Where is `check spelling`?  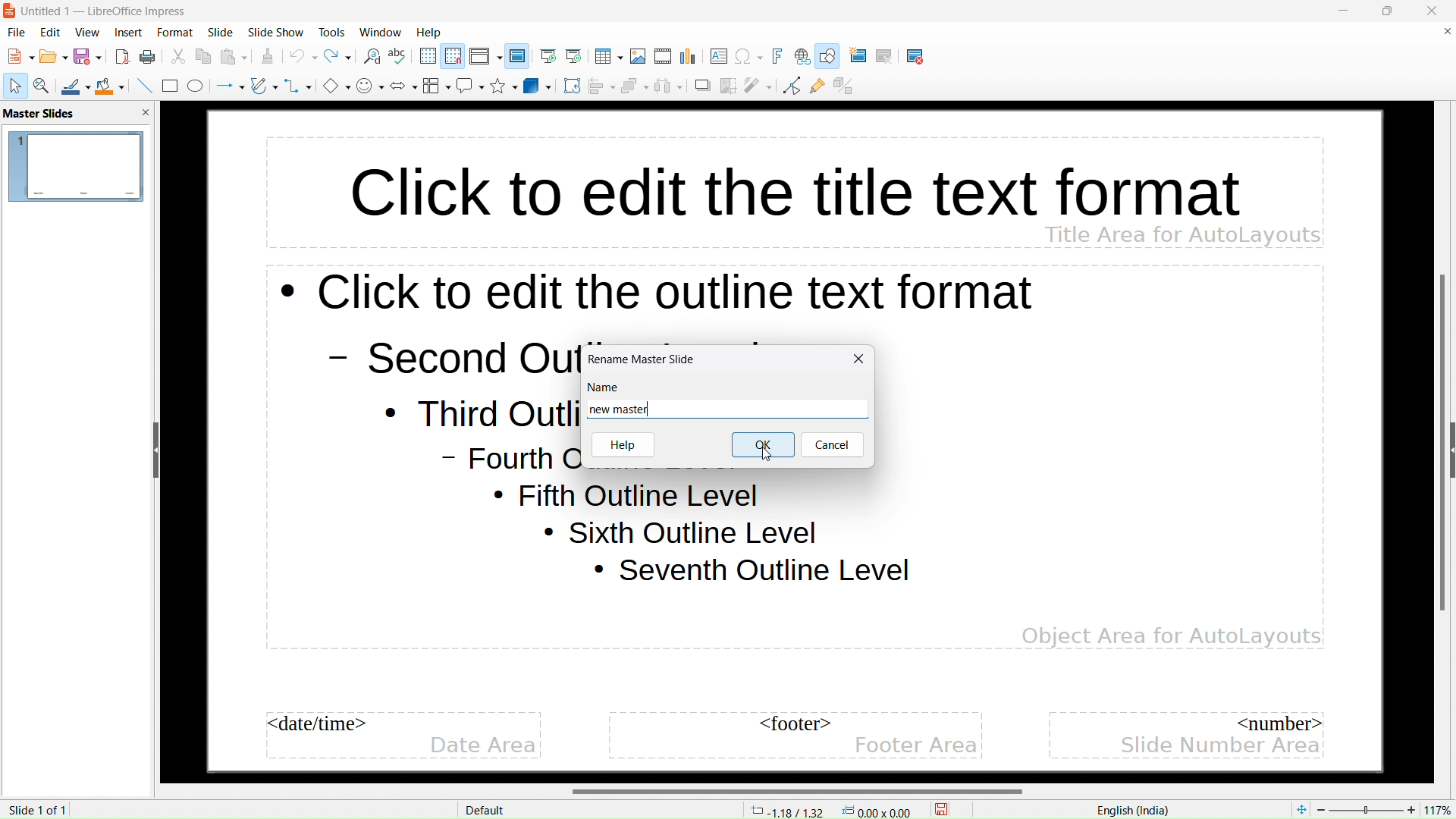
check spelling is located at coordinates (400, 57).